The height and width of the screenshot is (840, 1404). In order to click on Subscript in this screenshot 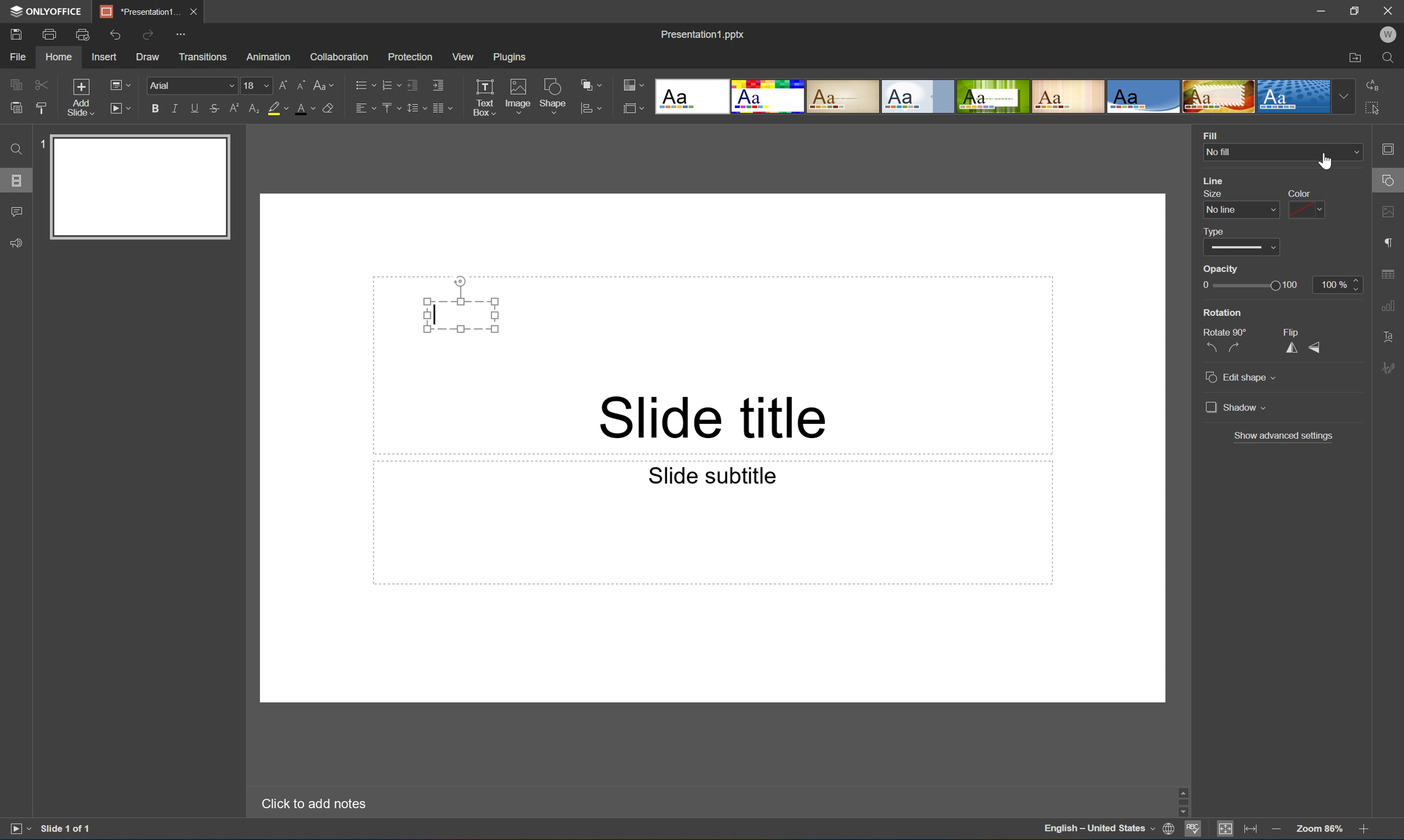, I will do `click(252, 109)`.